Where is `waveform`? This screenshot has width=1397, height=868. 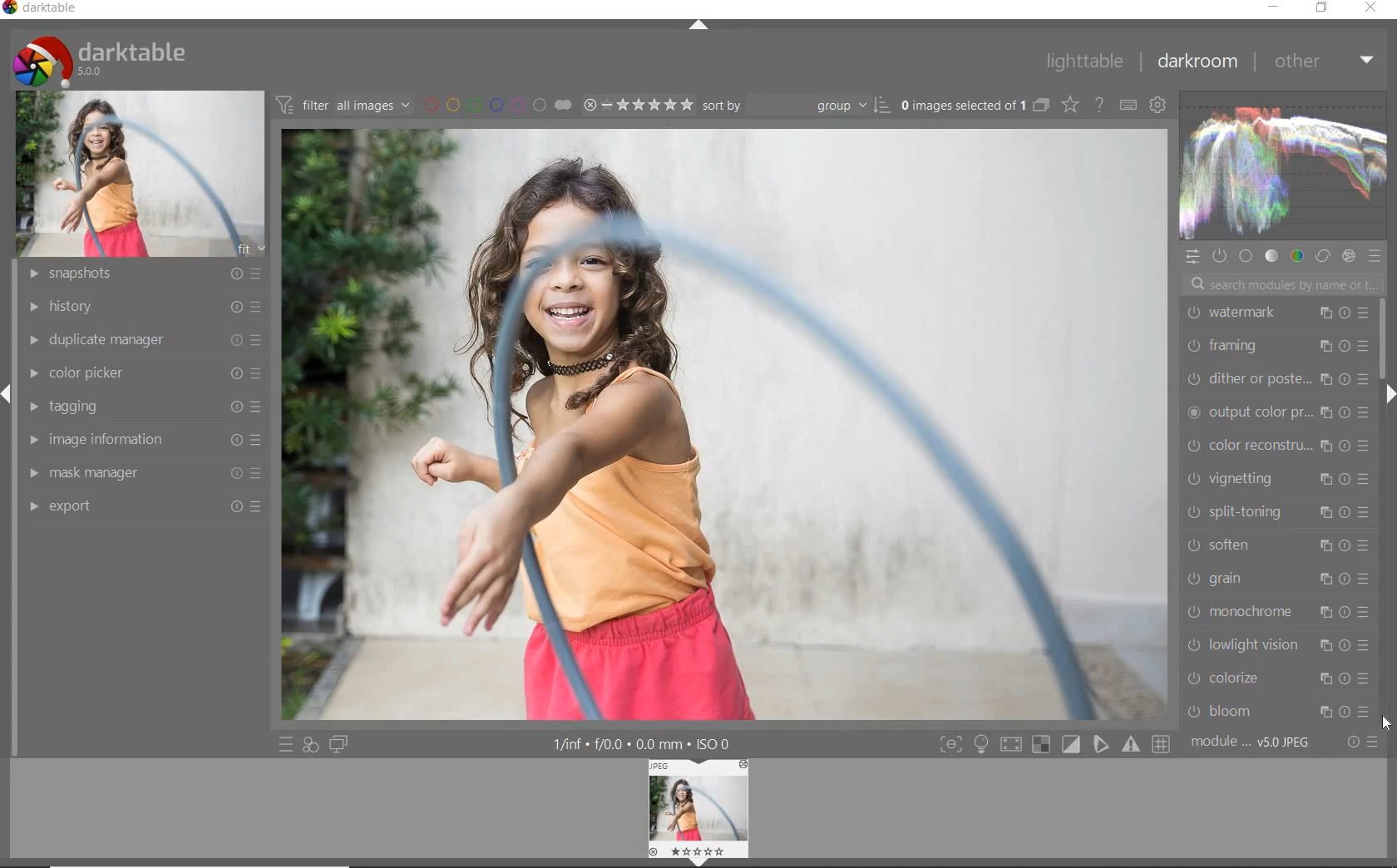
waveform is located at coordinates (1281, 165).